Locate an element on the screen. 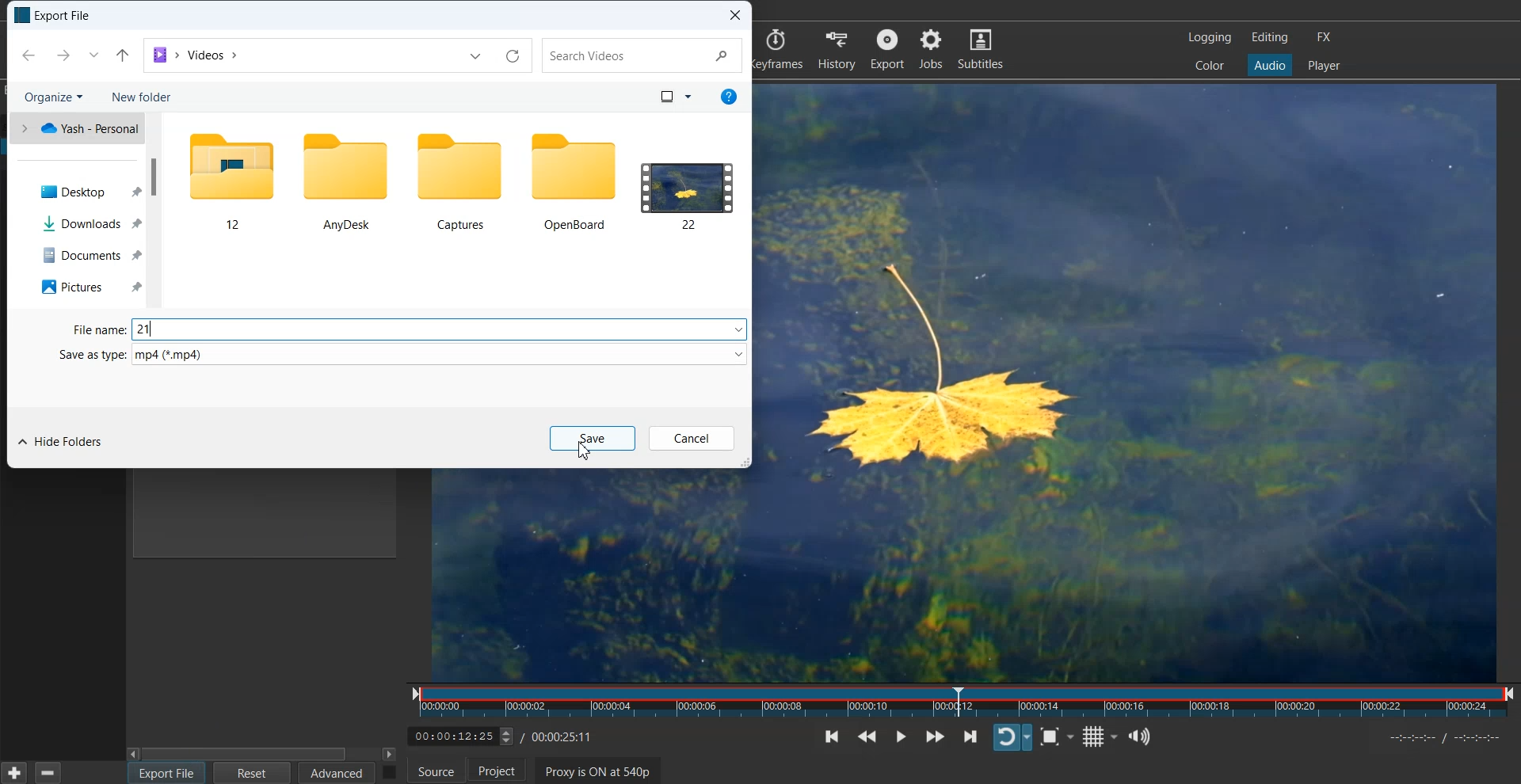  Color is located at coordinates (1210, 64).